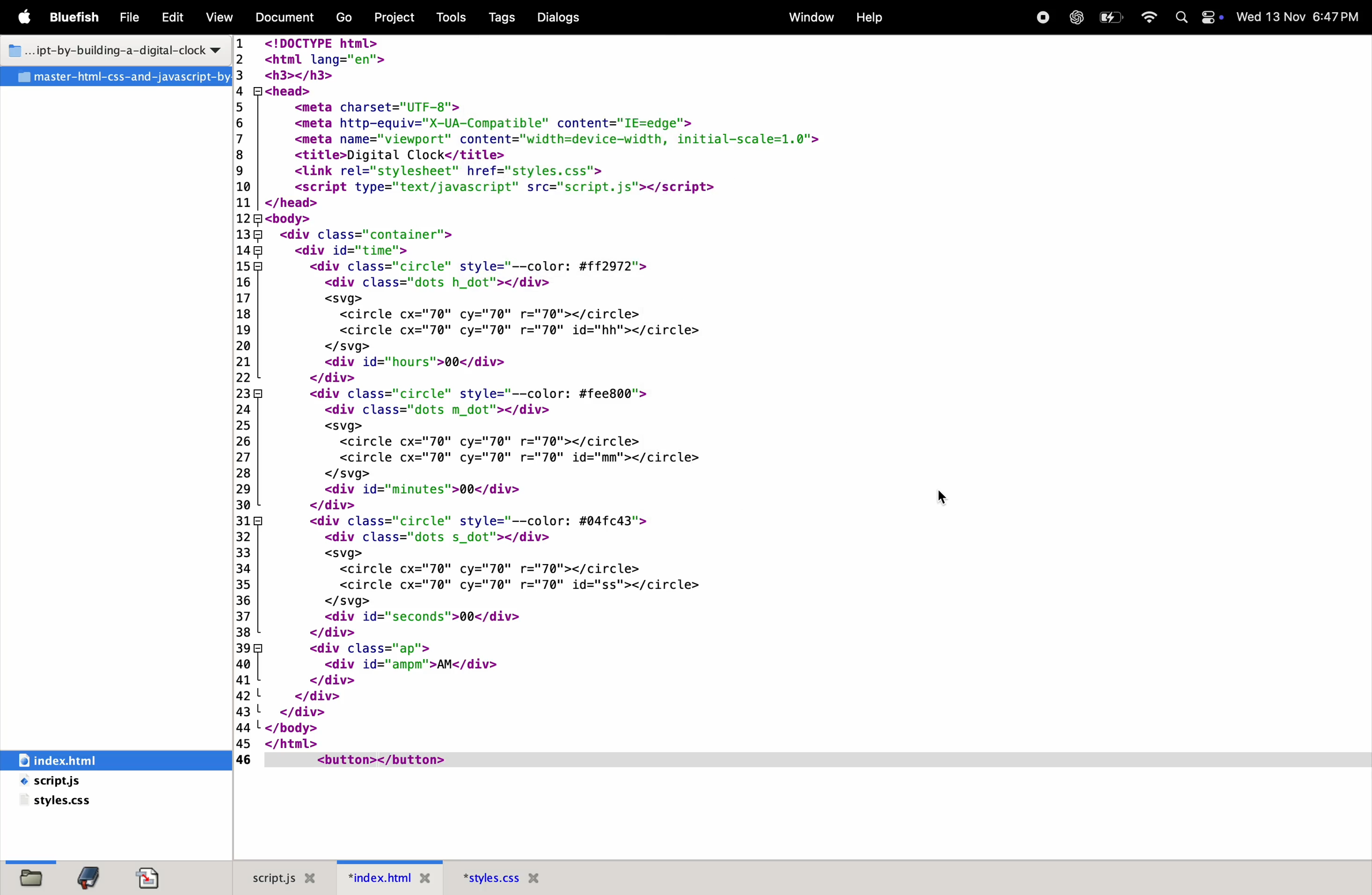  I want to click on Spotlight search, so click(1182, 17).